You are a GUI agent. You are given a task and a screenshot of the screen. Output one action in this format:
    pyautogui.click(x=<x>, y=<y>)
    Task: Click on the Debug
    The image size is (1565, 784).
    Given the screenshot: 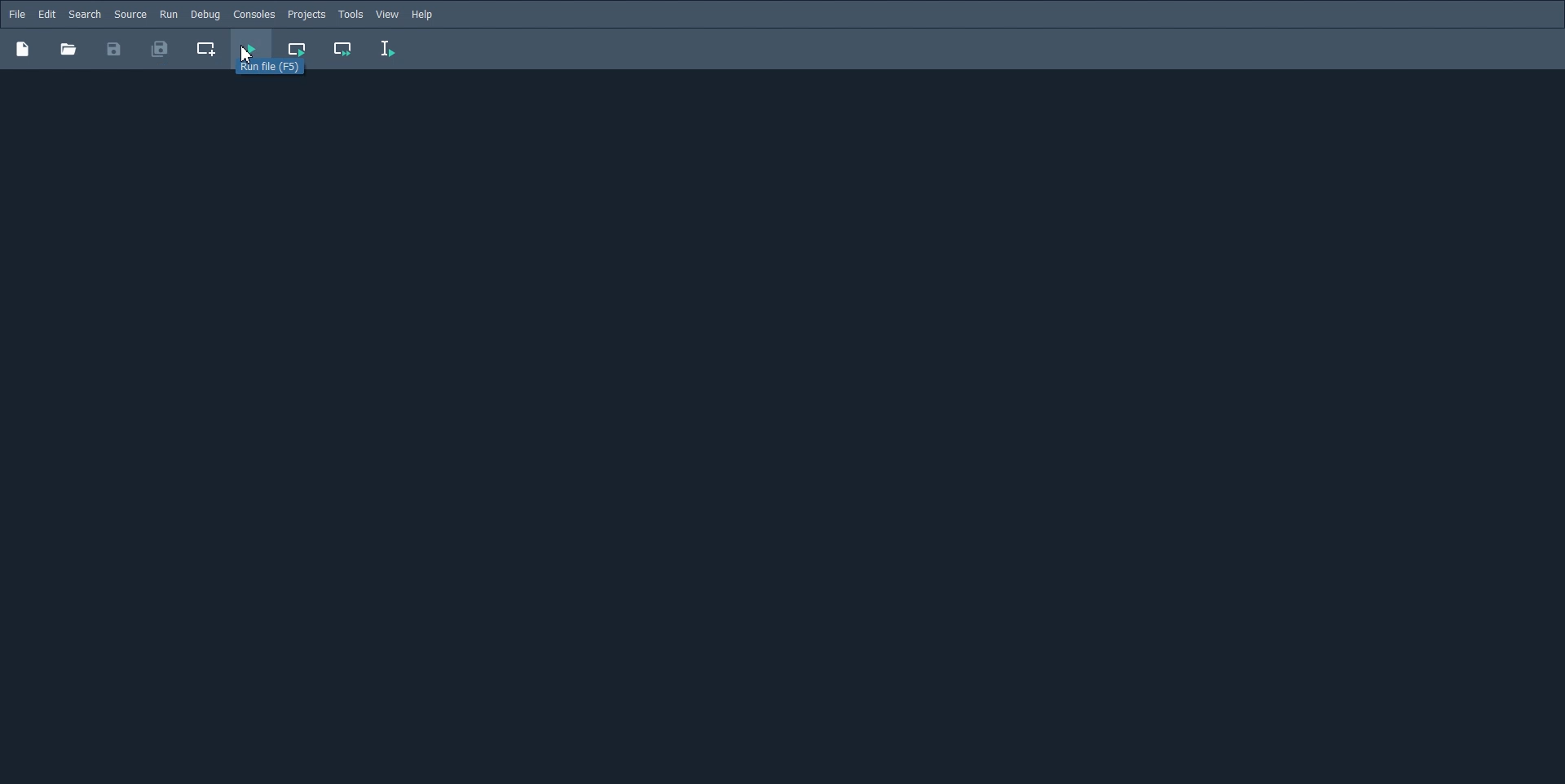 What is the action you would take?
    pyautogui.click(x=205, y=14)
    